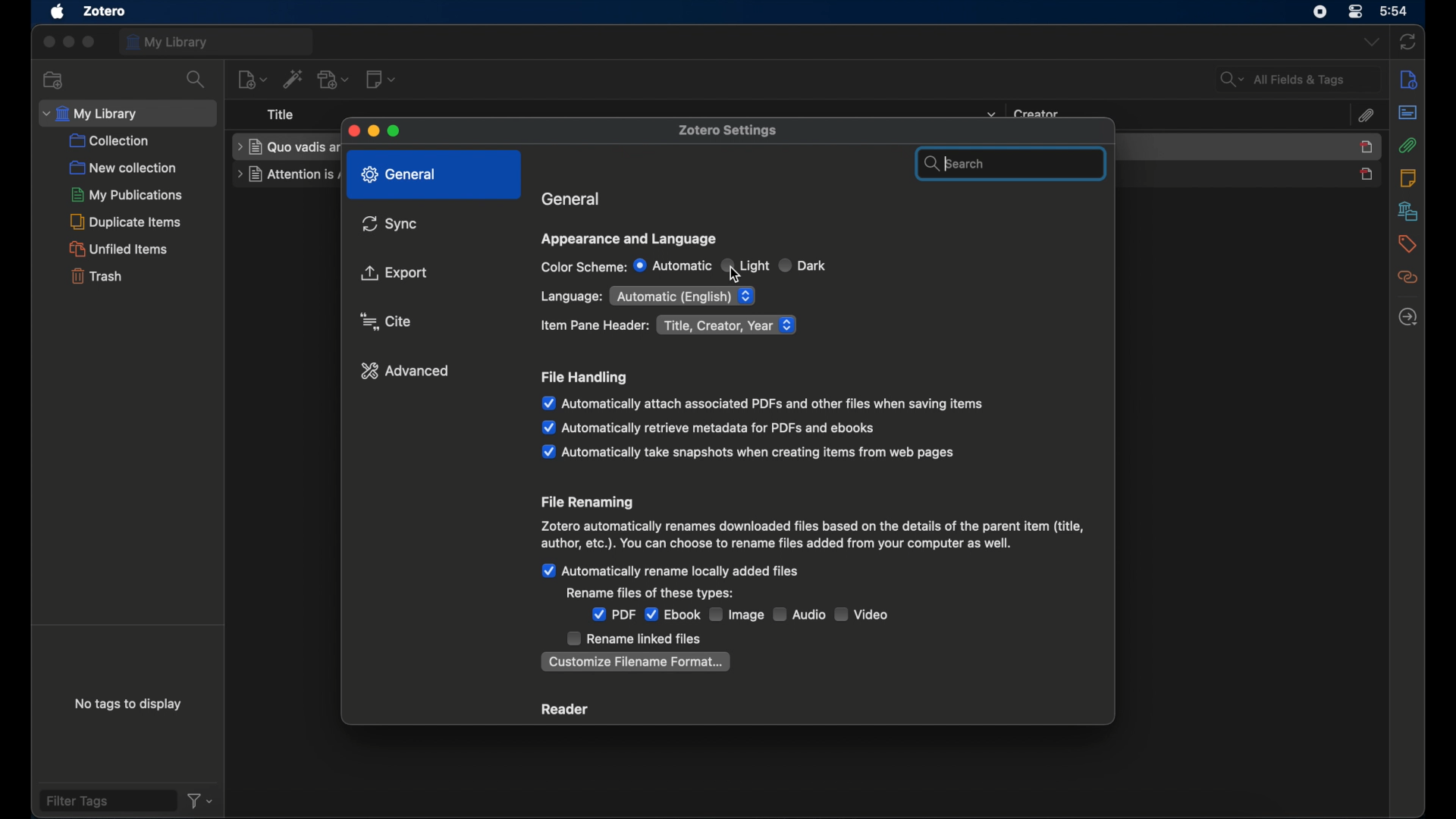  What do you see at coordinates (799, 613) in the screenshot?
I see `audio checkbox` at bounding box center [799, 613].